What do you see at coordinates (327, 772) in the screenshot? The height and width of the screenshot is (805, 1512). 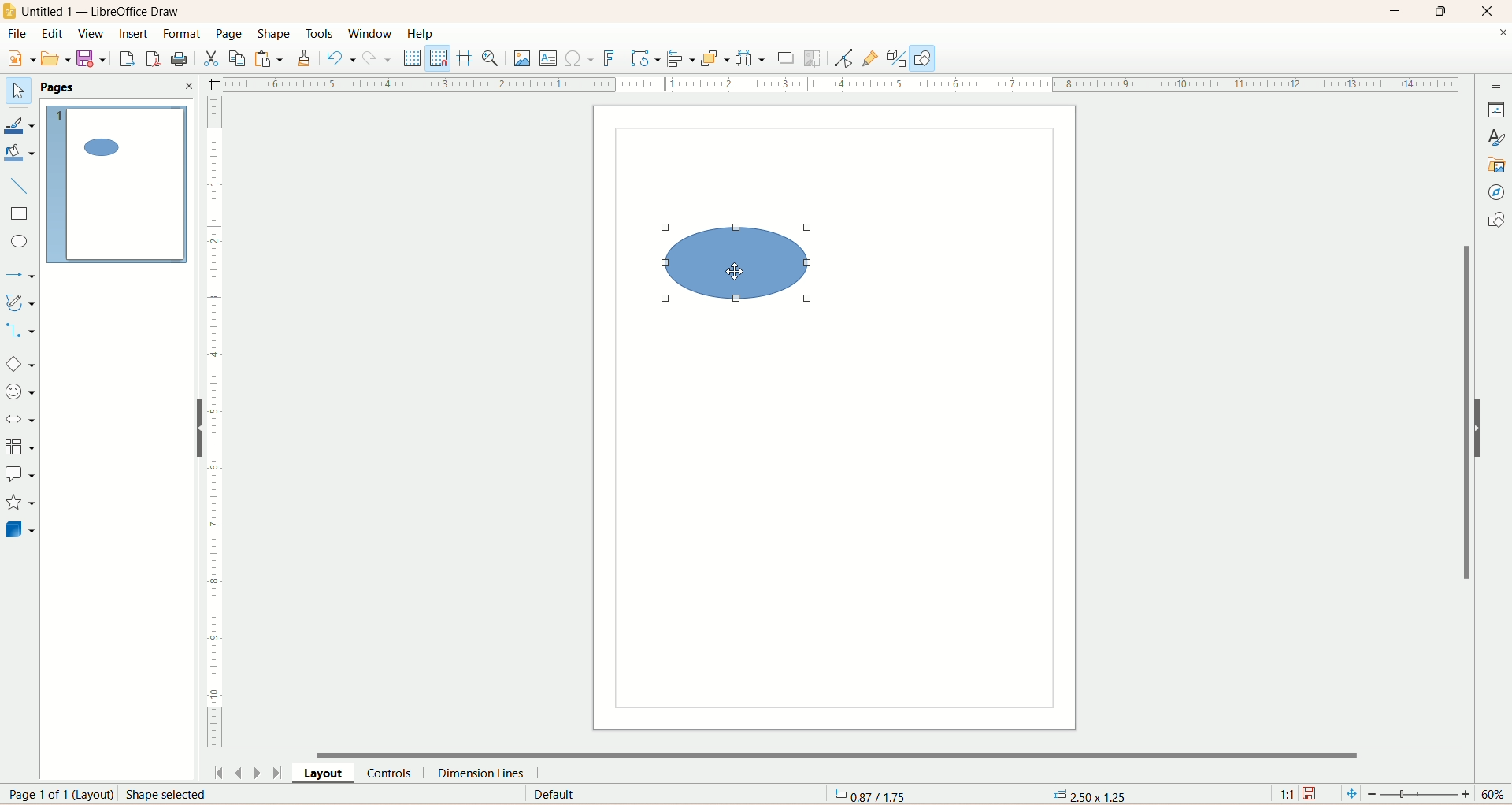 I see `layout` at bounding box center [327, 772].